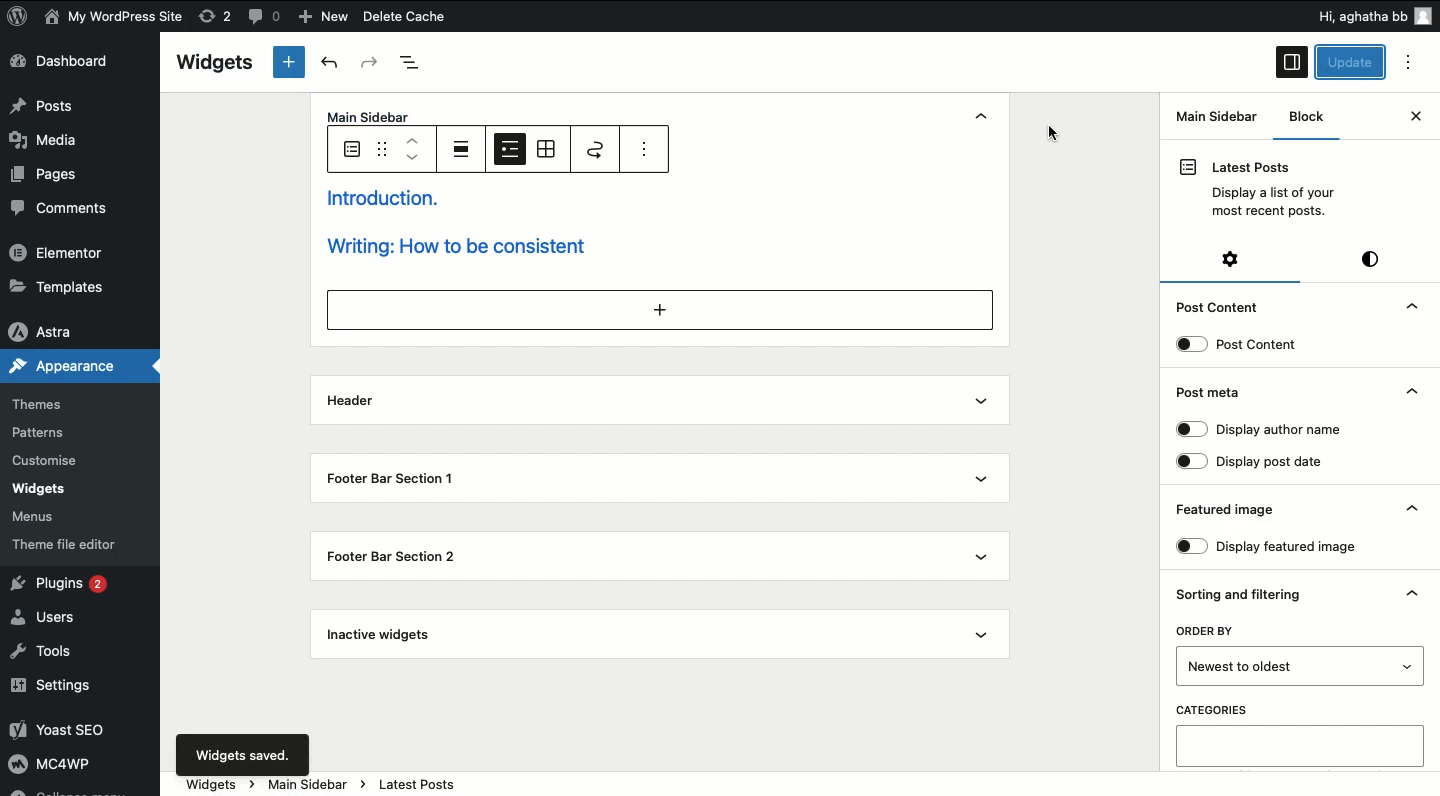 Image resolution: width=1440 pixels, height=796 pixels. What do you see at coordinates (62, 543) in the screenshot?
I see `theme file editor` at bounding box center [62, 543].